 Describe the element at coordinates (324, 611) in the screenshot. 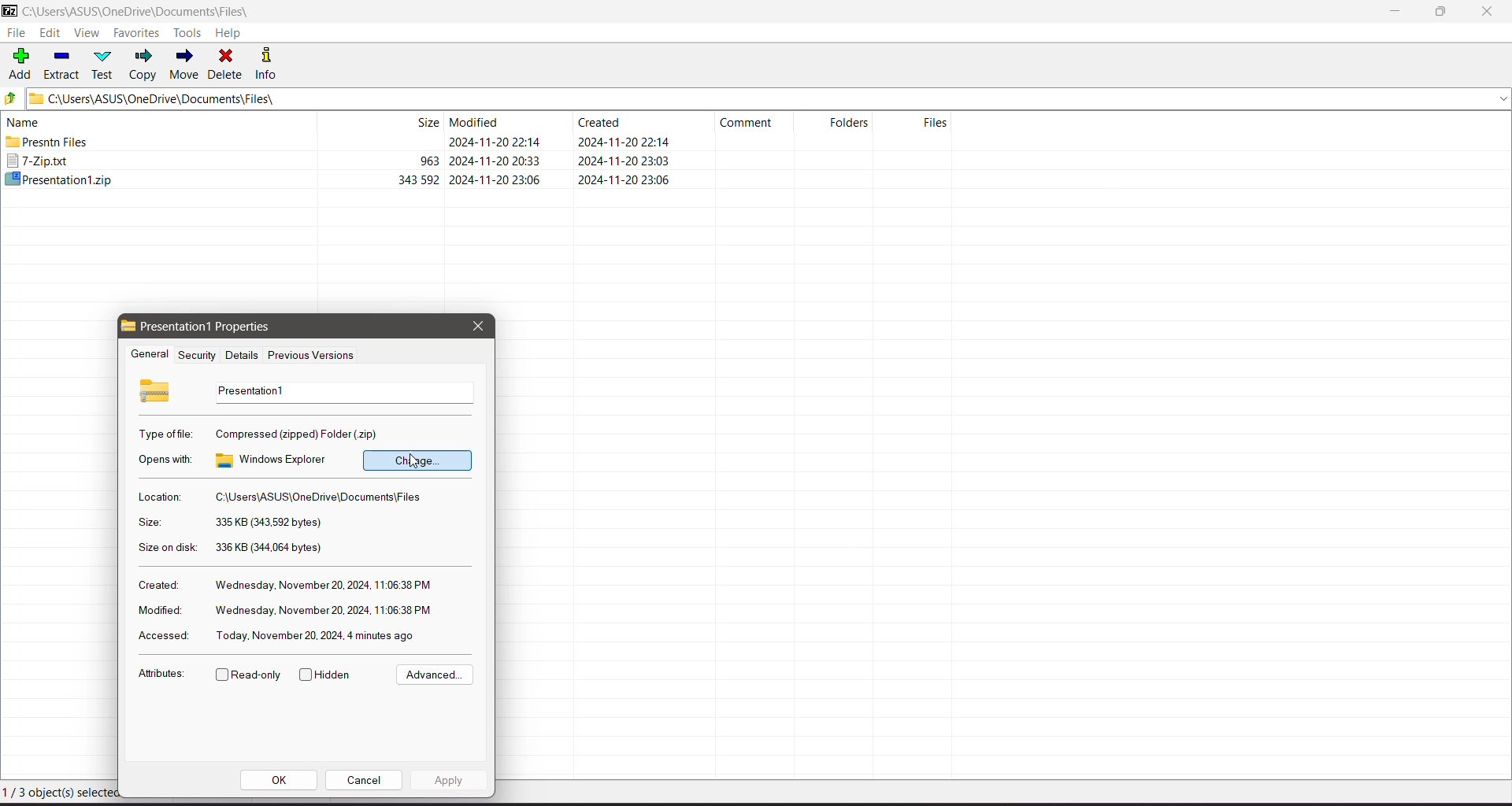

I see `Modified Day, Date, Year and time` at that location.